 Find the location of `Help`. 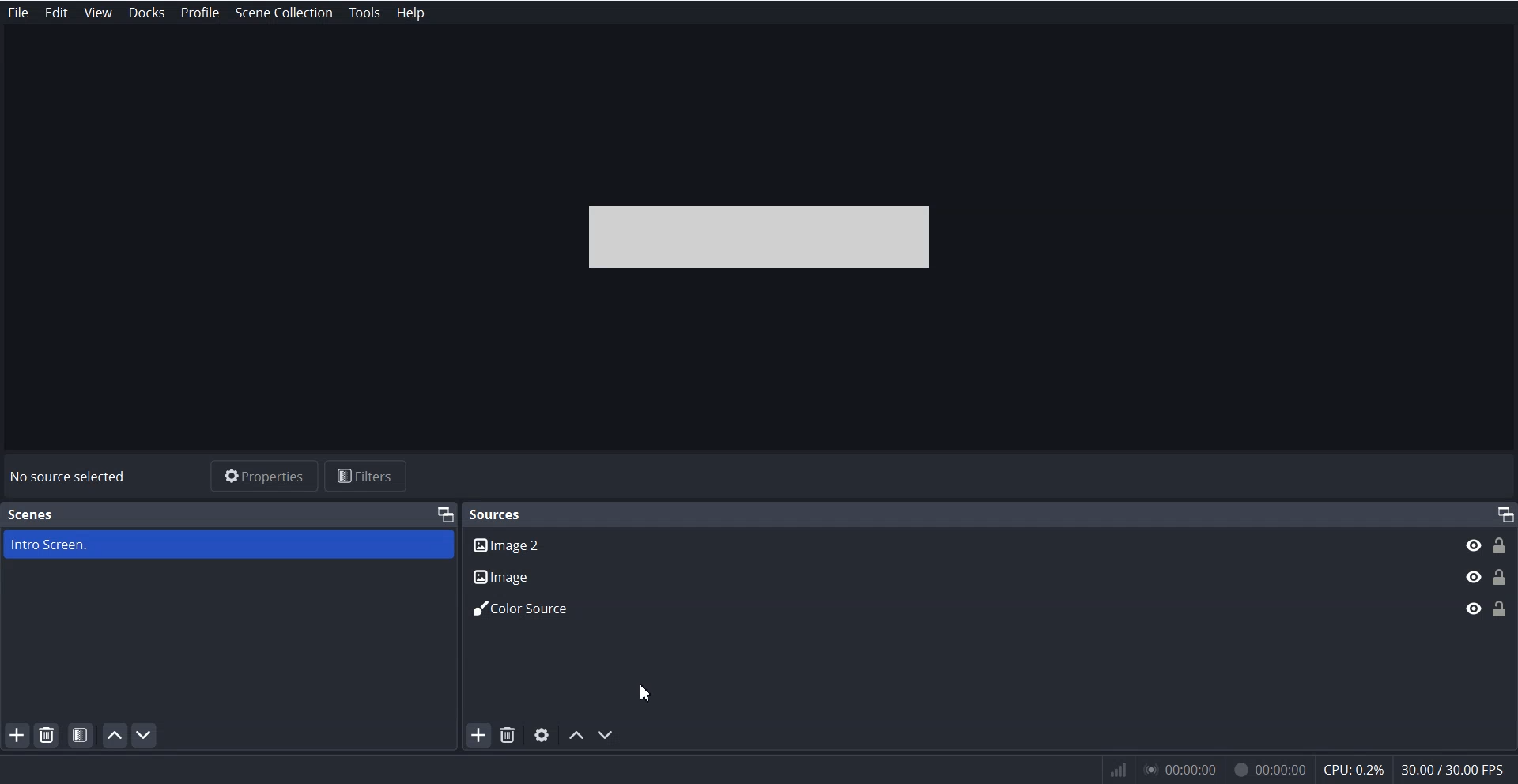

Help is located at coordinates (408, 13).